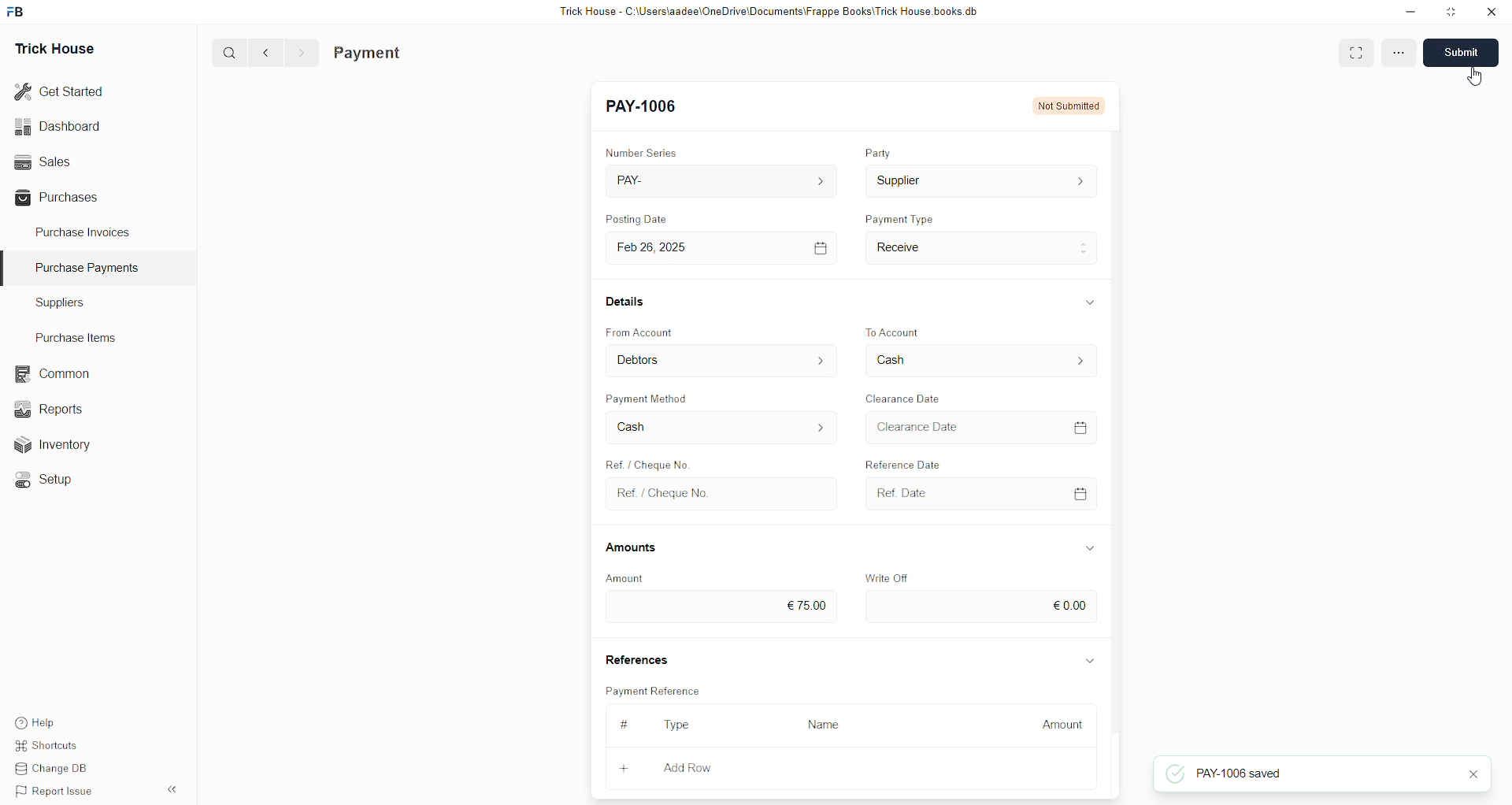  I want to click on #, so click(628, 724).